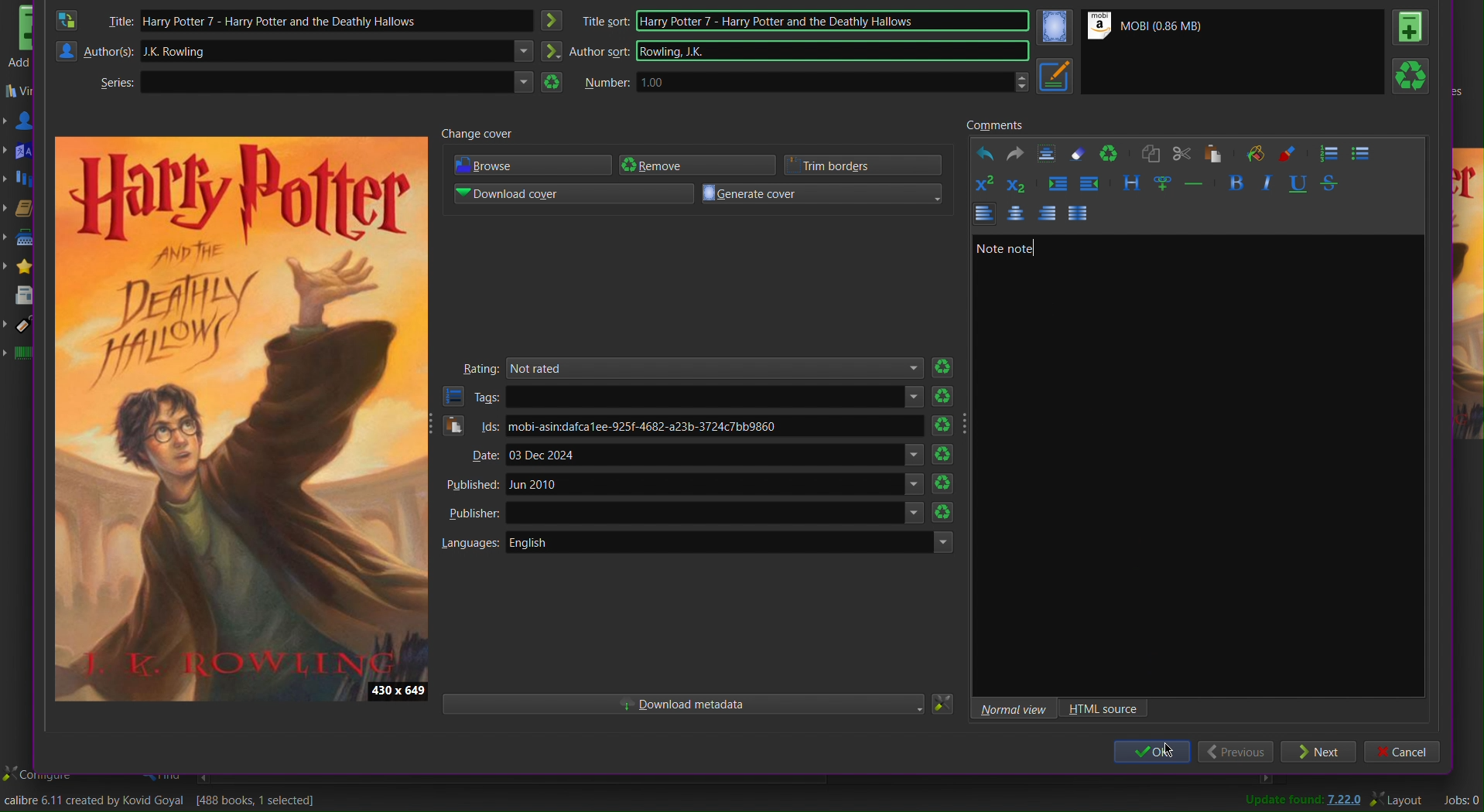  What do you see at coordinates (1329, 183) in the screenshot?
I see `Strikethrough` at bounding box center [1329, 183].